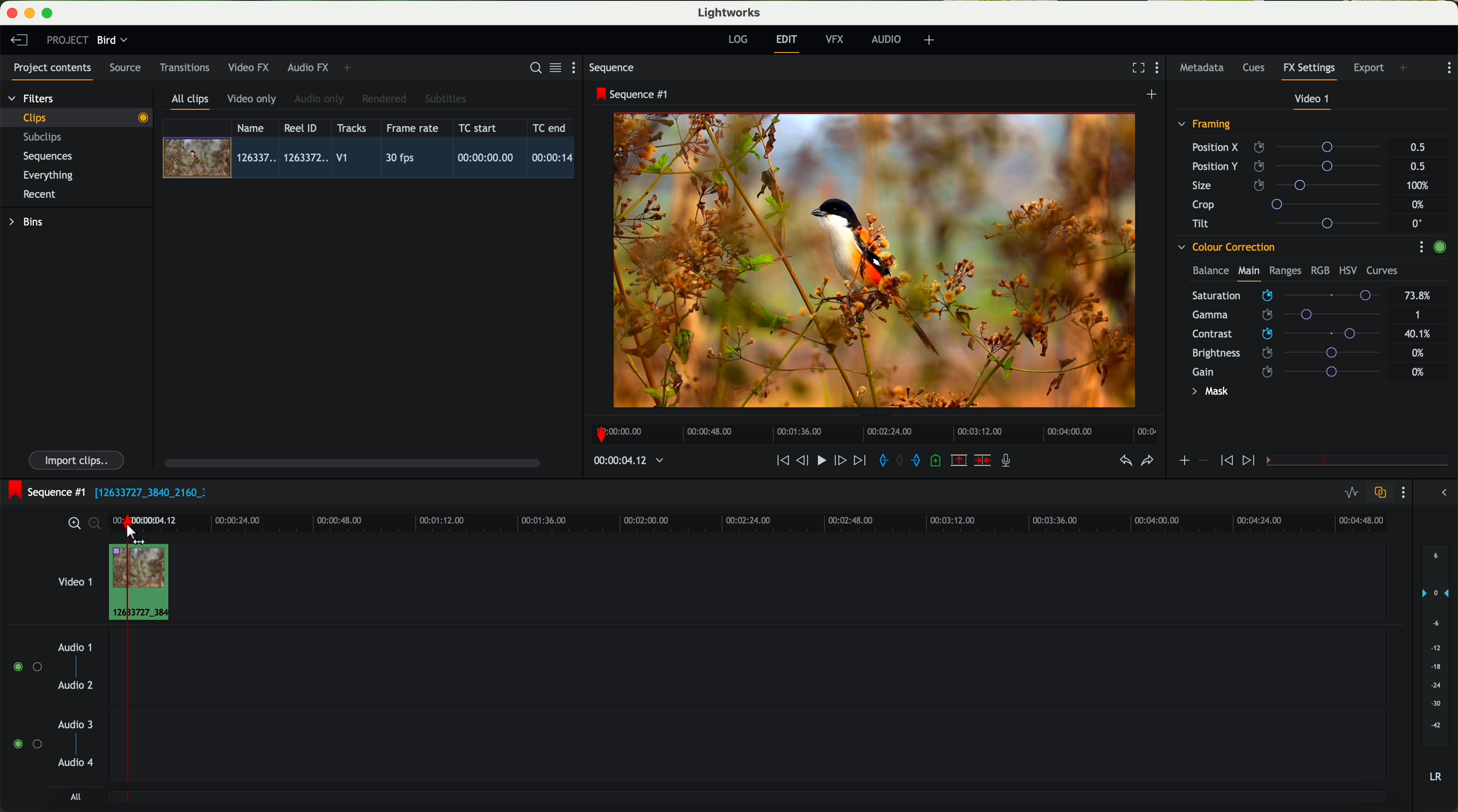 Image resolution: width=1458 pixels, height=812 pixels. I want to click on size, so click(1289, 186).